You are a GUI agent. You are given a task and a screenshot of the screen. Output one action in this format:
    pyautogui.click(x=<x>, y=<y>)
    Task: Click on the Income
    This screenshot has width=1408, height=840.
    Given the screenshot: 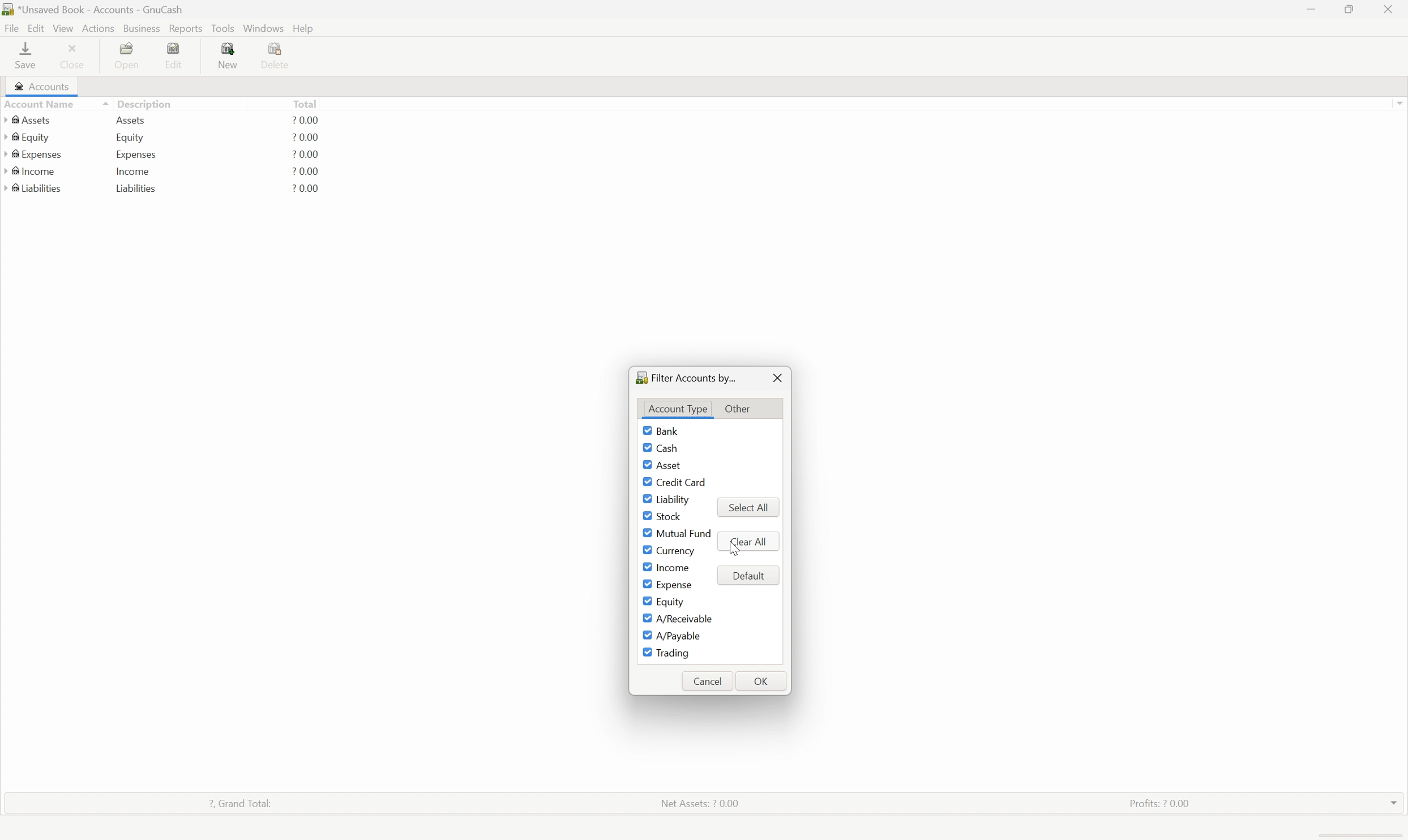 What is the action you would take?
    pyautogui.click(x=35, y=170)
    